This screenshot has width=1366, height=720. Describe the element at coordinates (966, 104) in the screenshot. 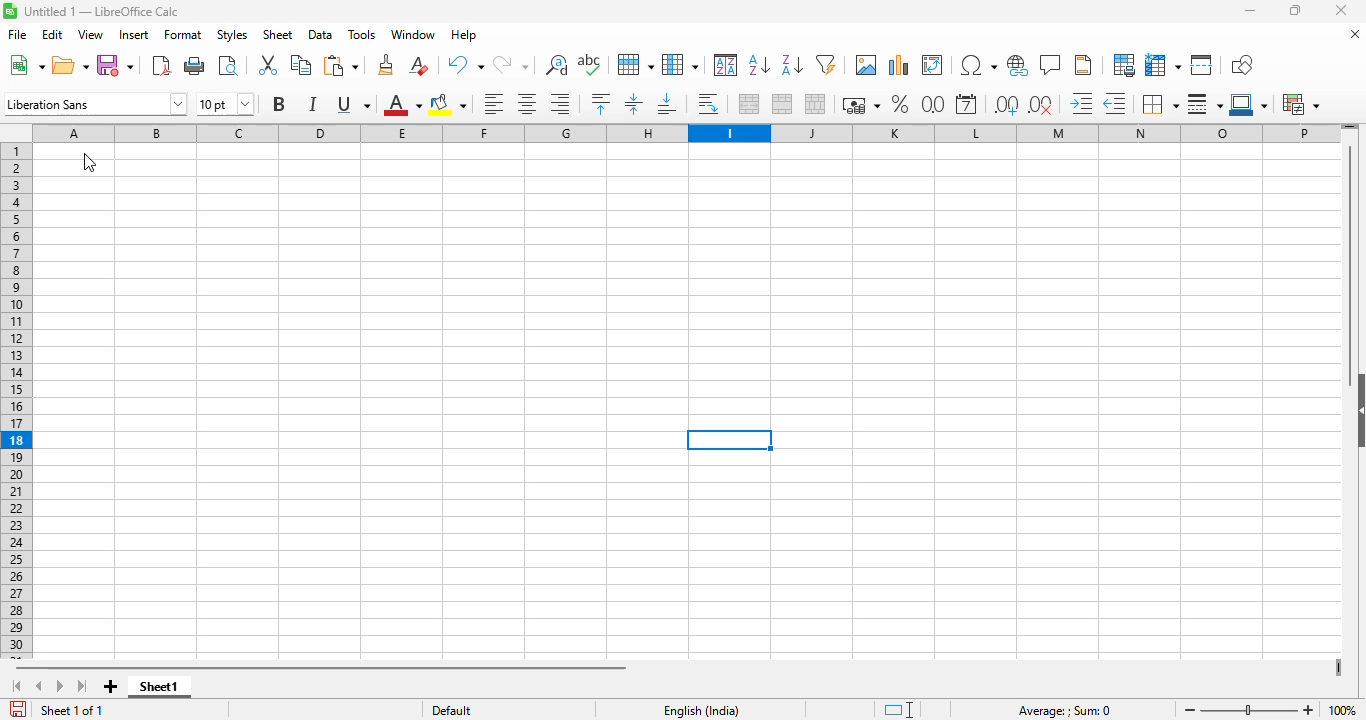

I see `format as date` at that location.